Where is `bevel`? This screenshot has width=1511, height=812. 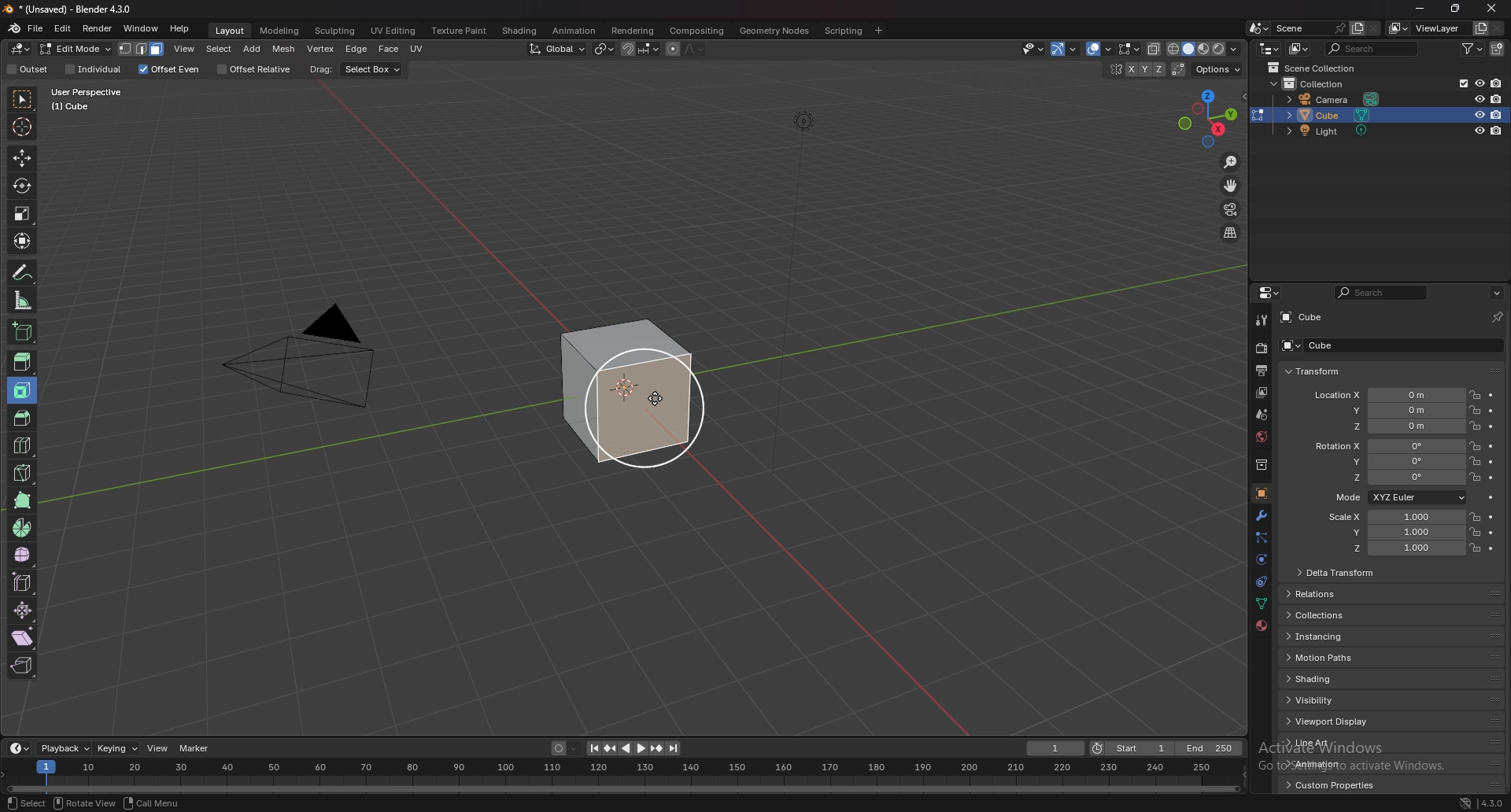 bevel is located at coordinates (19, 416).